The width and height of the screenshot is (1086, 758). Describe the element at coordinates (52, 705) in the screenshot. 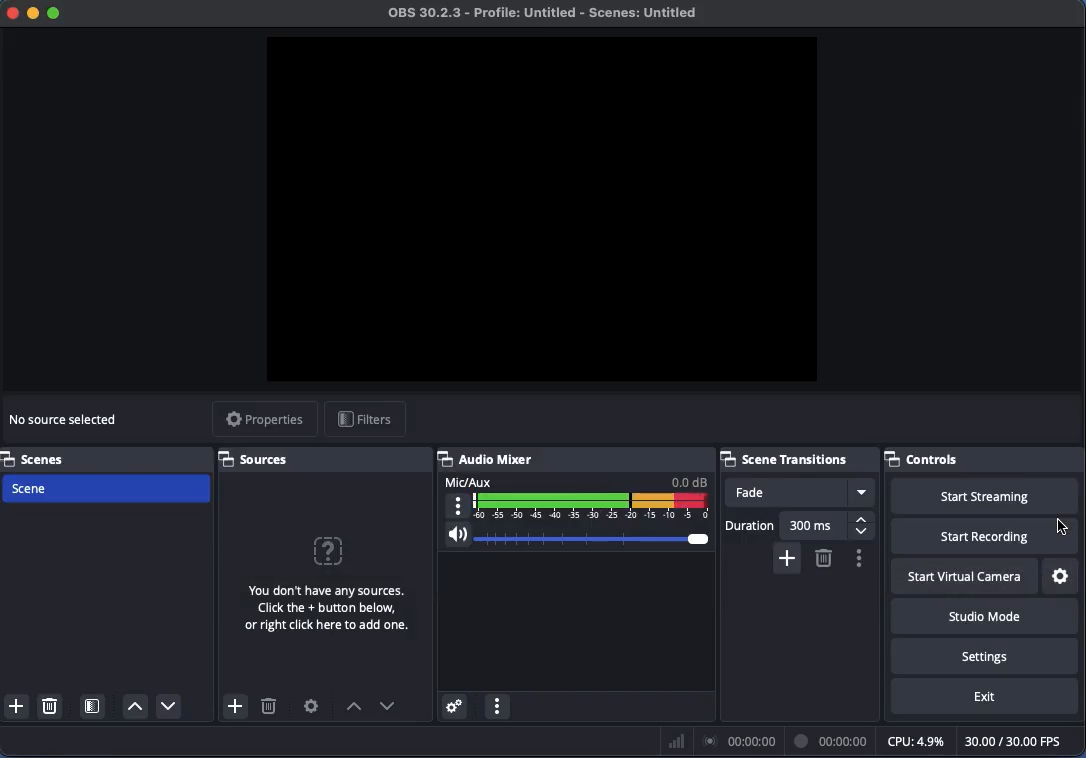

I see `Delete` at that location.